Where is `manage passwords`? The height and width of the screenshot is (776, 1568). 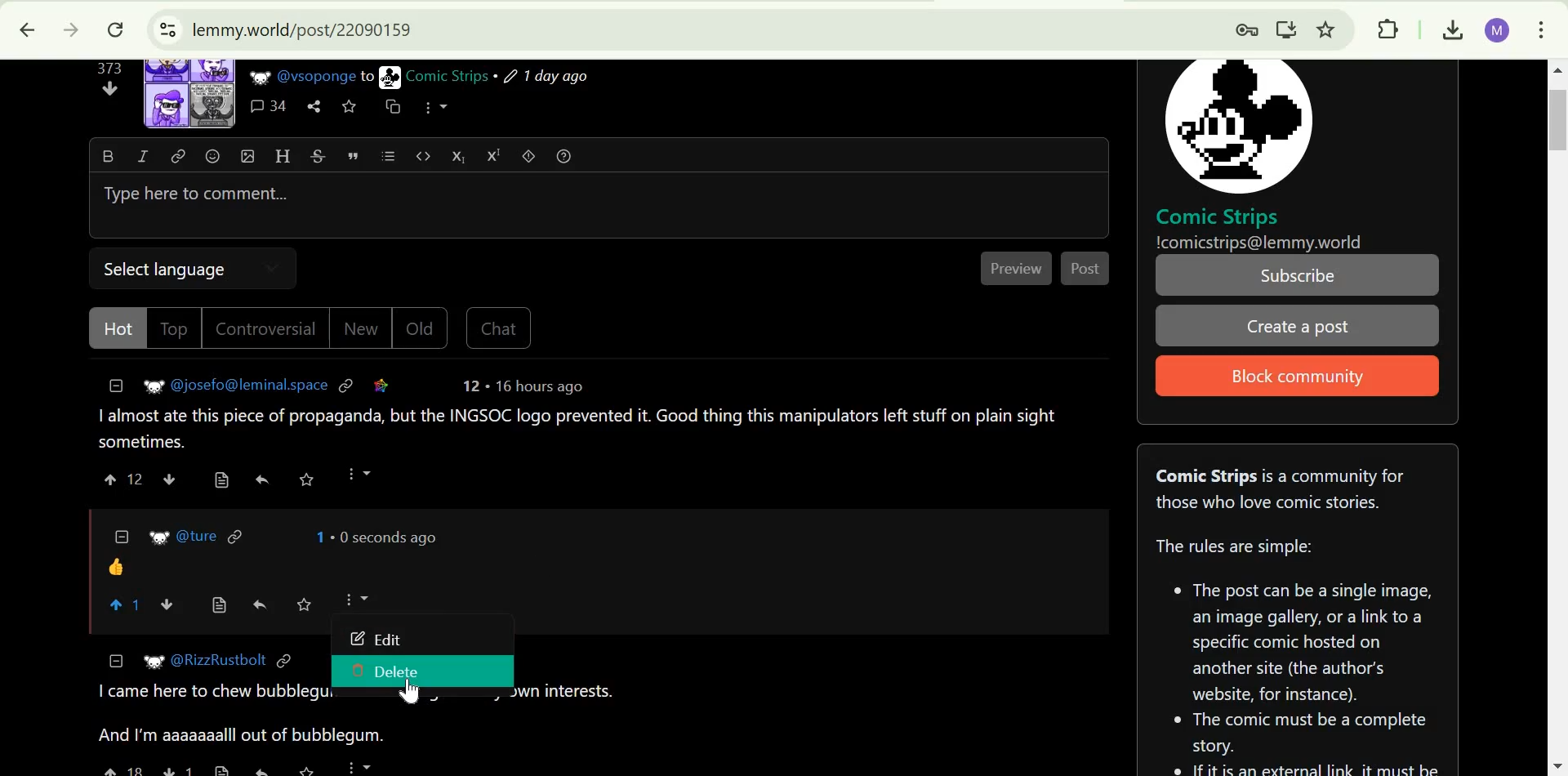 manage passwords is located at coordinates (1241, 29).